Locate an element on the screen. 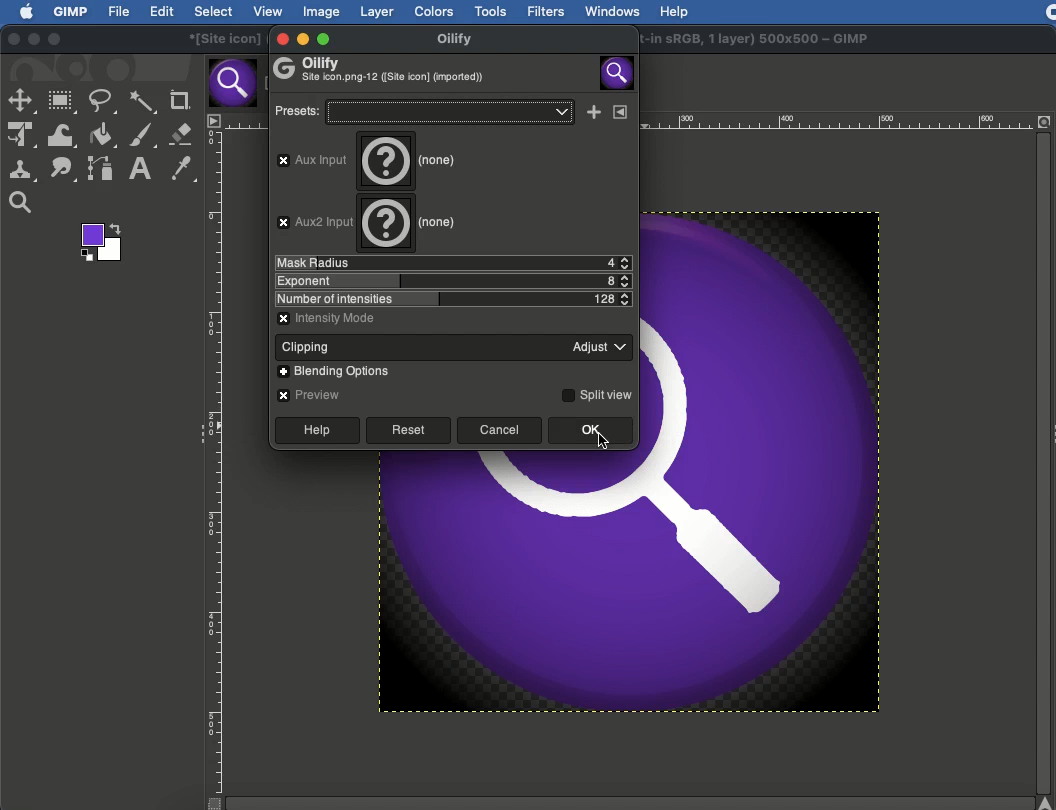 The height and width of the screenshot is (810, 1056). Minimize is located at coordinates (303, 40).